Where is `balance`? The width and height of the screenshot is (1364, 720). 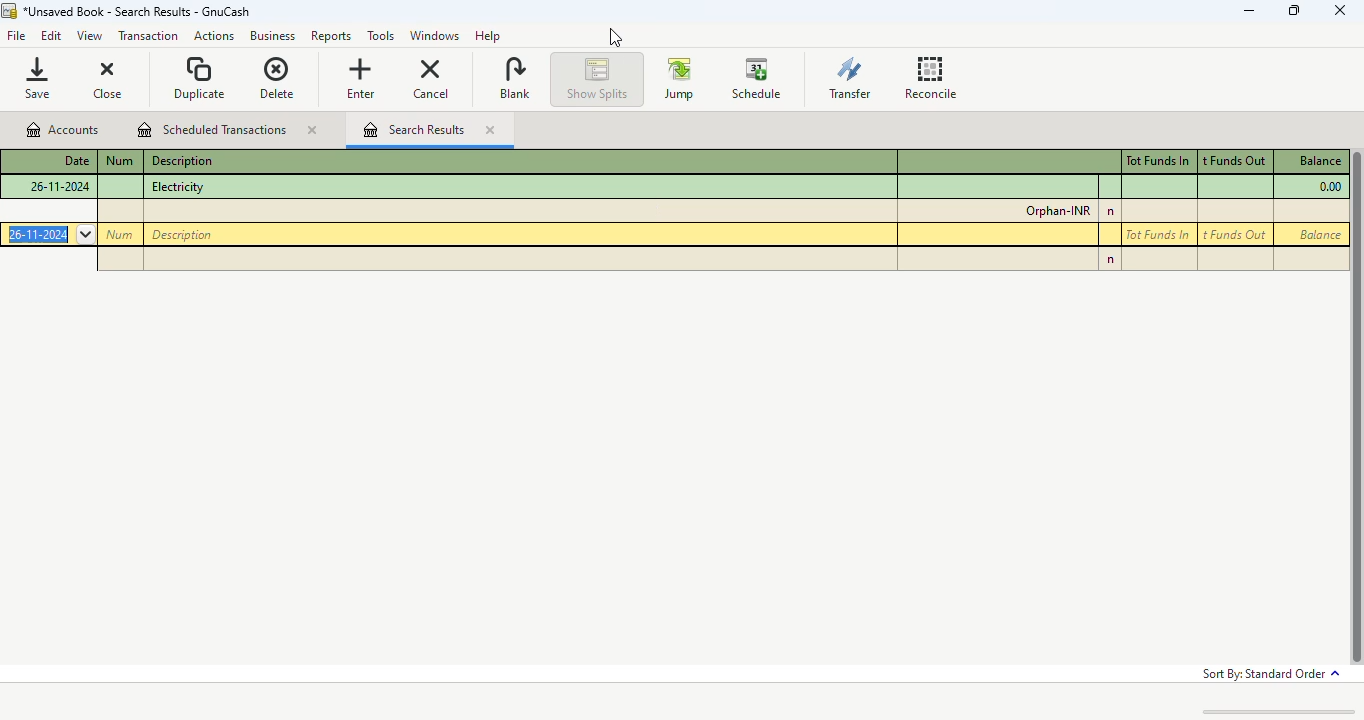
balance is located at coordinates (1319, 234).